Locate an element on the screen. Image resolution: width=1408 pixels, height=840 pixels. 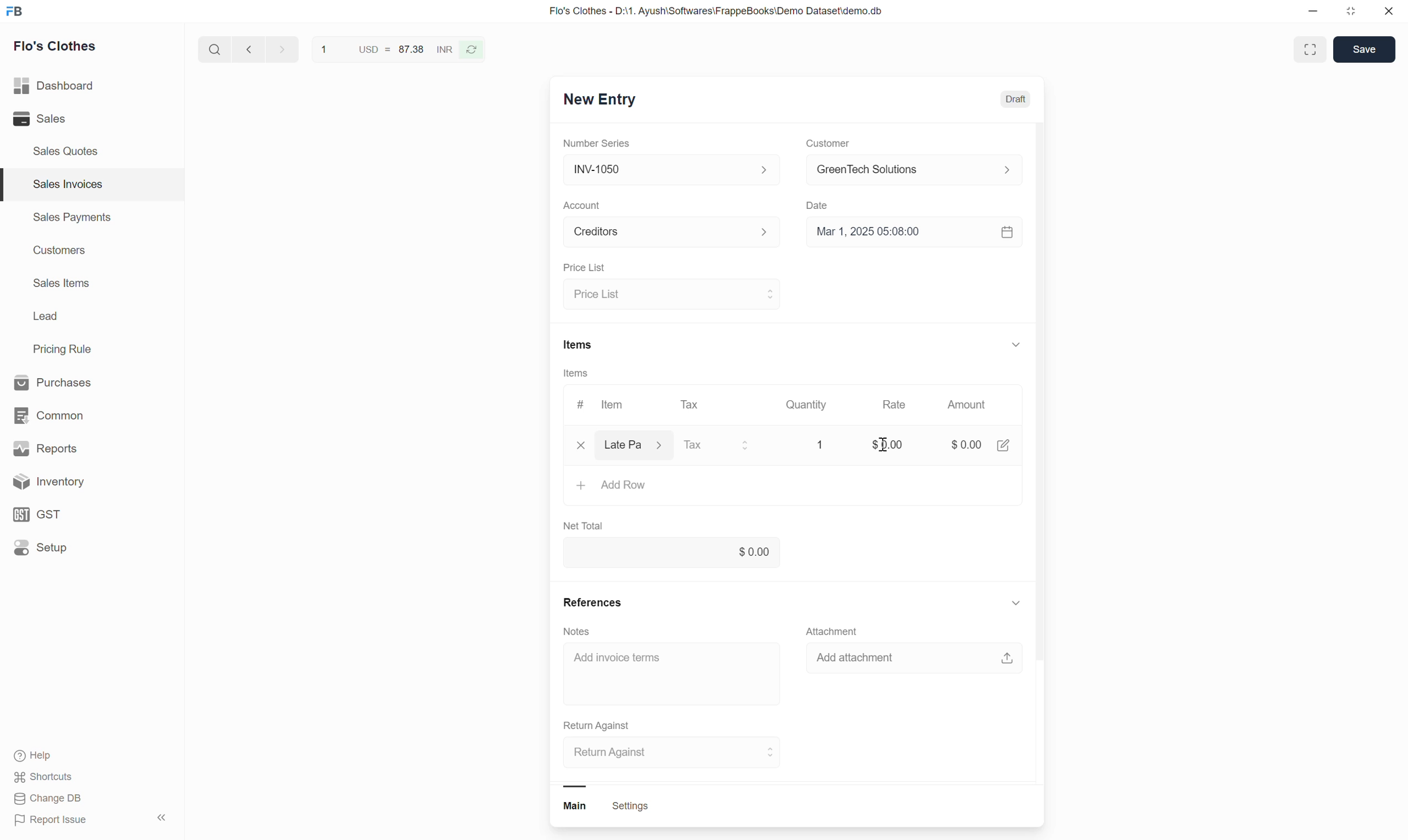
New Entry is located at coordinates (609, 100).